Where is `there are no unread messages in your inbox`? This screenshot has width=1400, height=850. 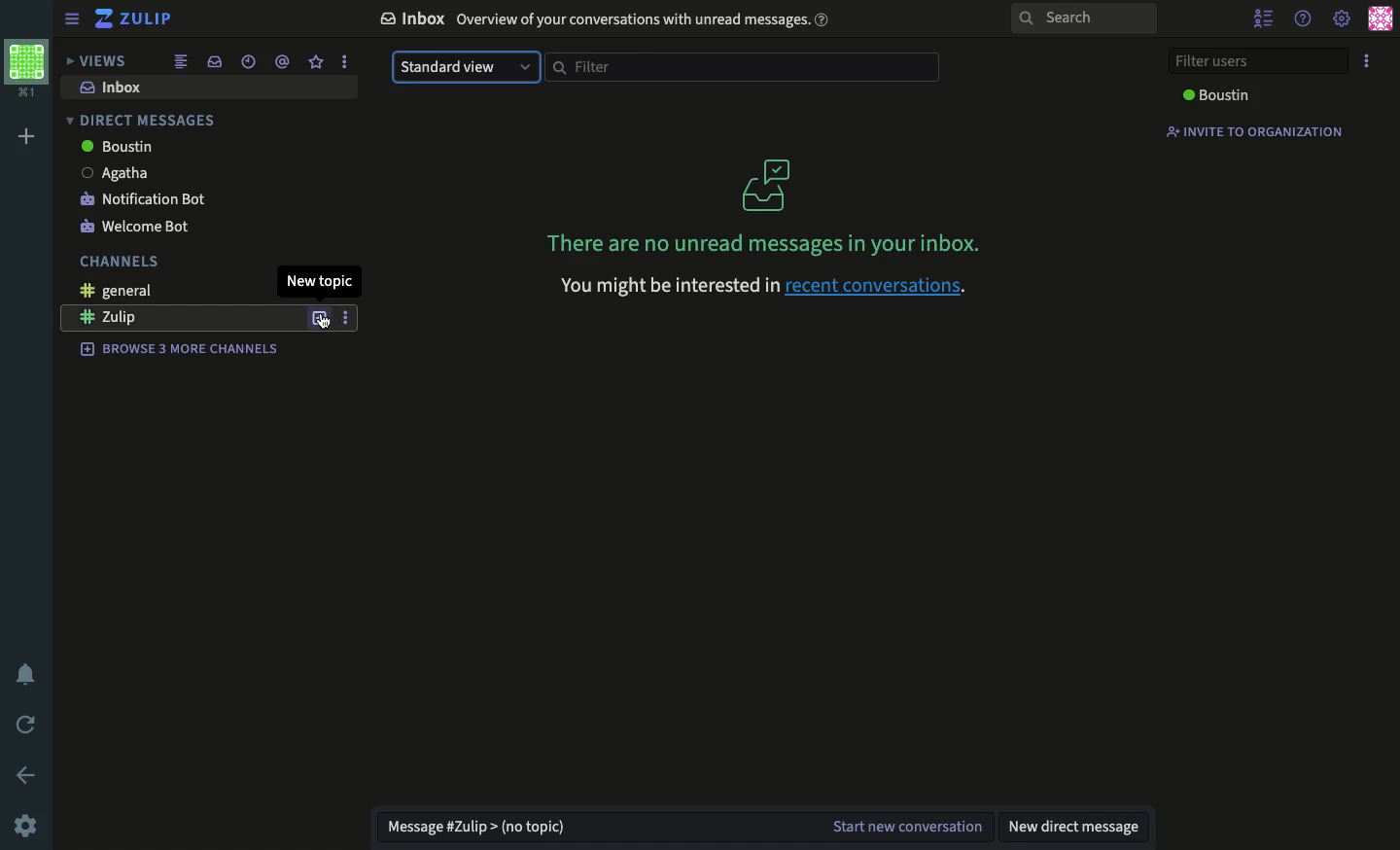
there are no unread messages in your inbox is located at coordinates (762, 205).